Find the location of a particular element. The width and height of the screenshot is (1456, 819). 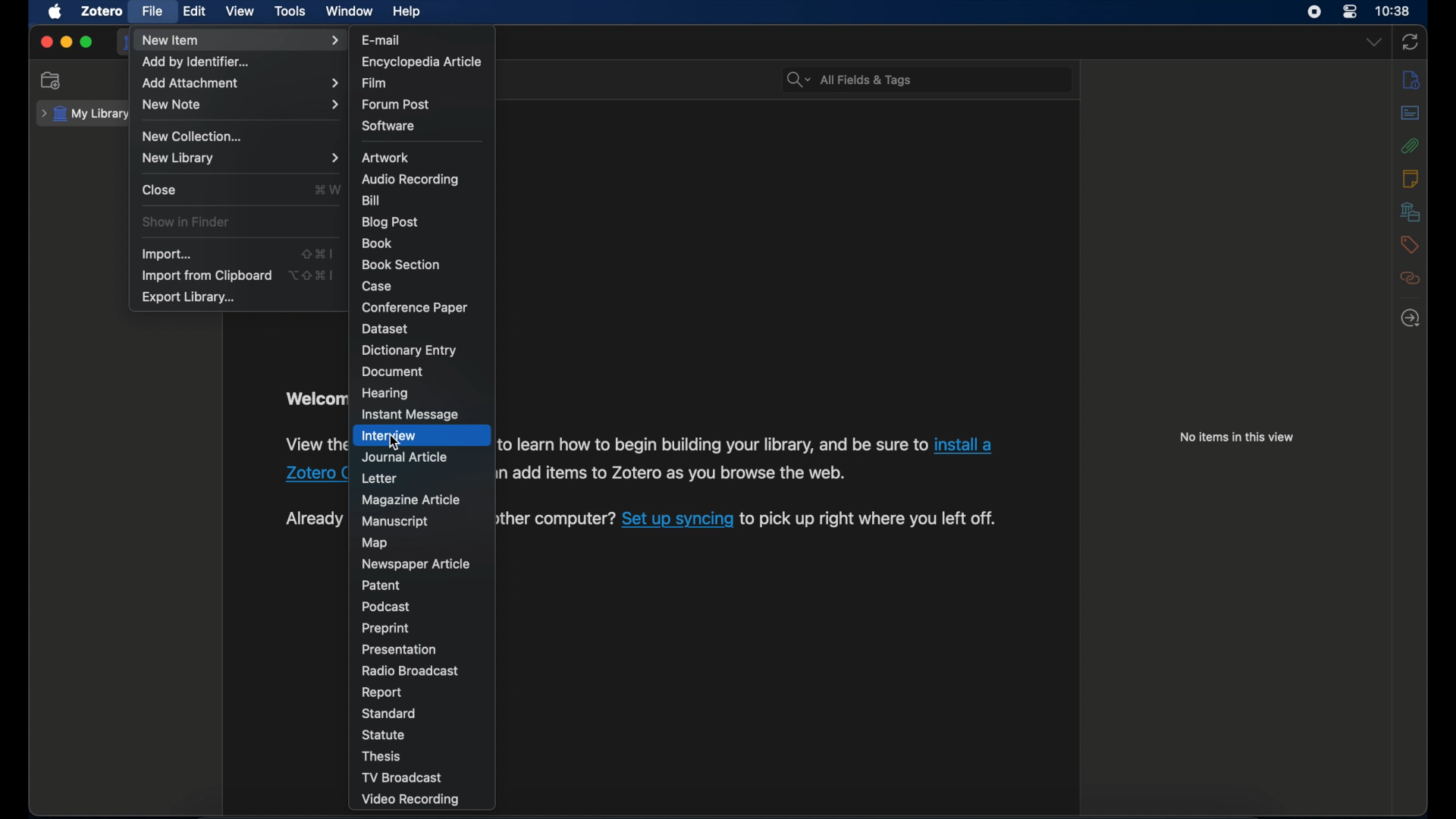

edit is located at coordinates (196, 11).